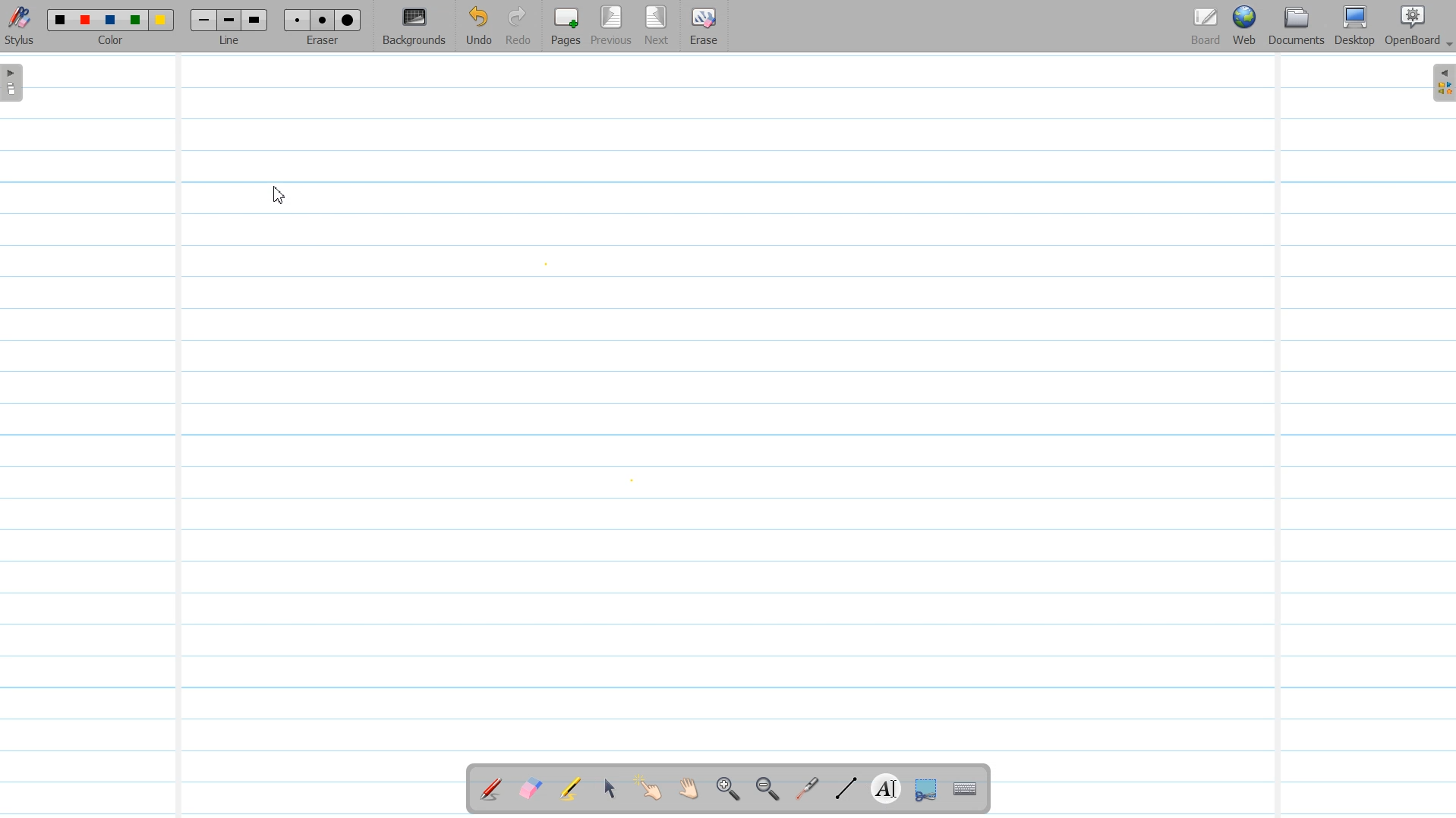 The image size is (1456, 818). I want to click on Previous, so click(613, 27).